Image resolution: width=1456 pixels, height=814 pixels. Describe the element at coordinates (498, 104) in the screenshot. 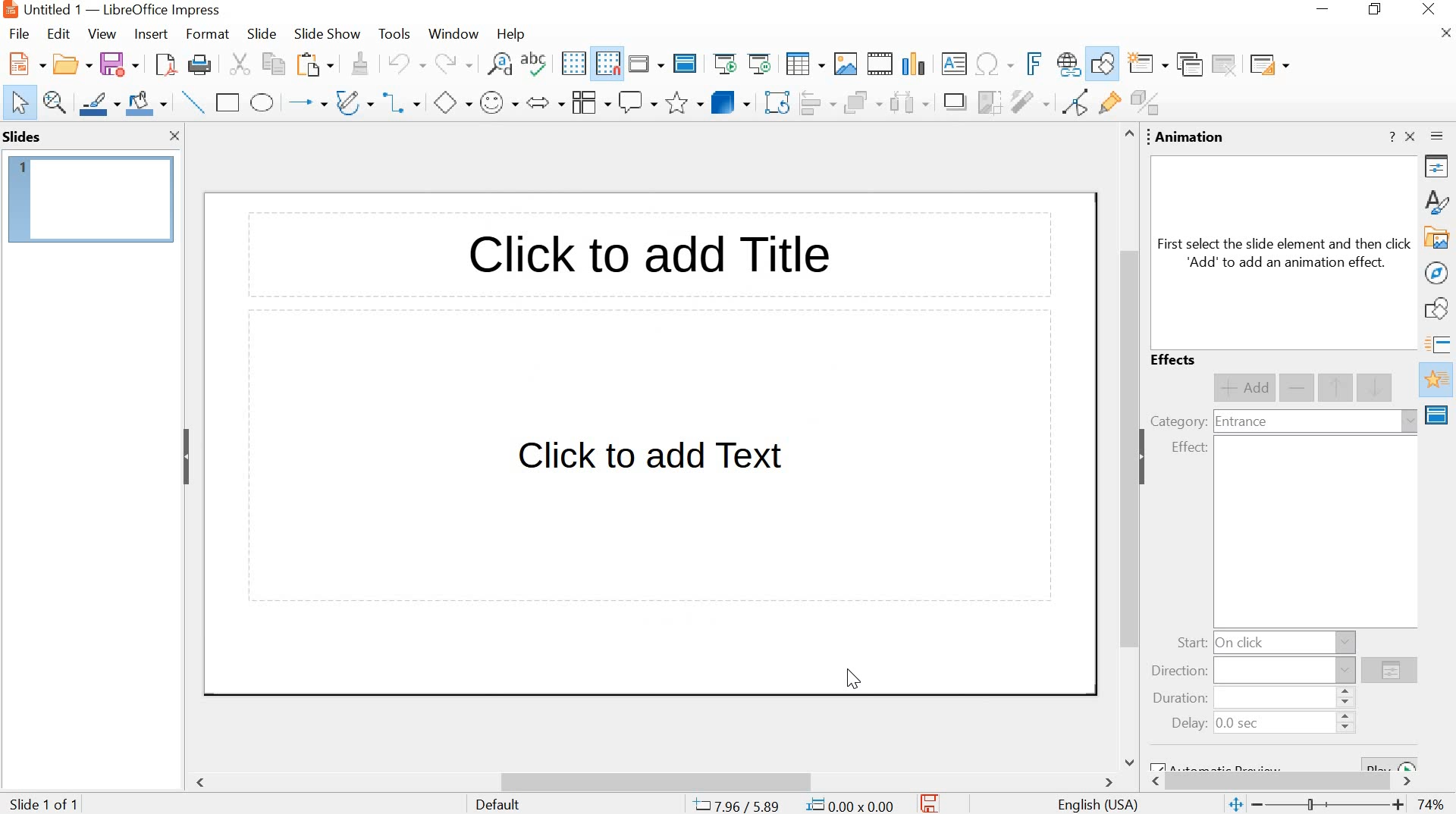

I see `symbol shapes` at that location.